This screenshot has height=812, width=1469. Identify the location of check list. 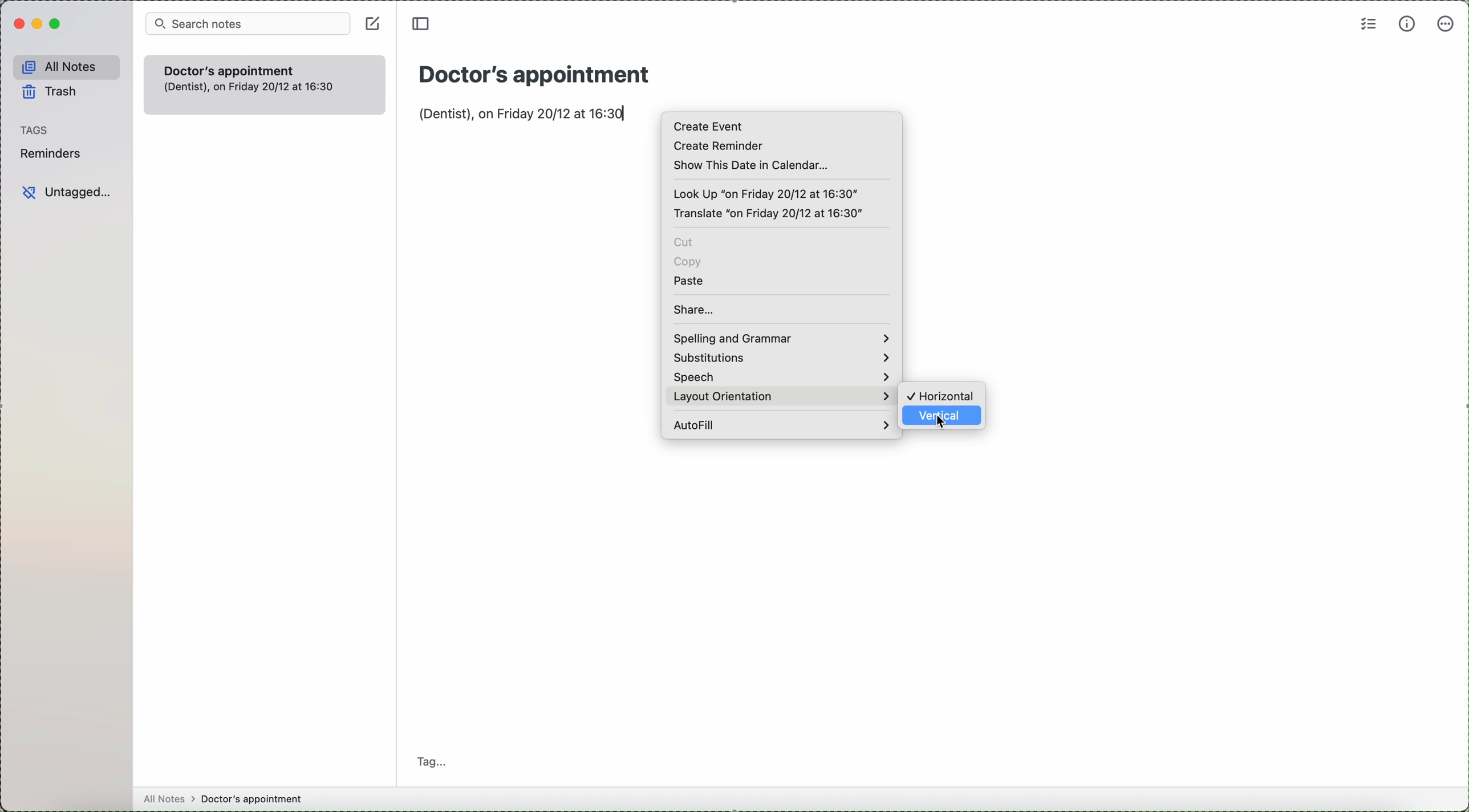
(1366, 25).